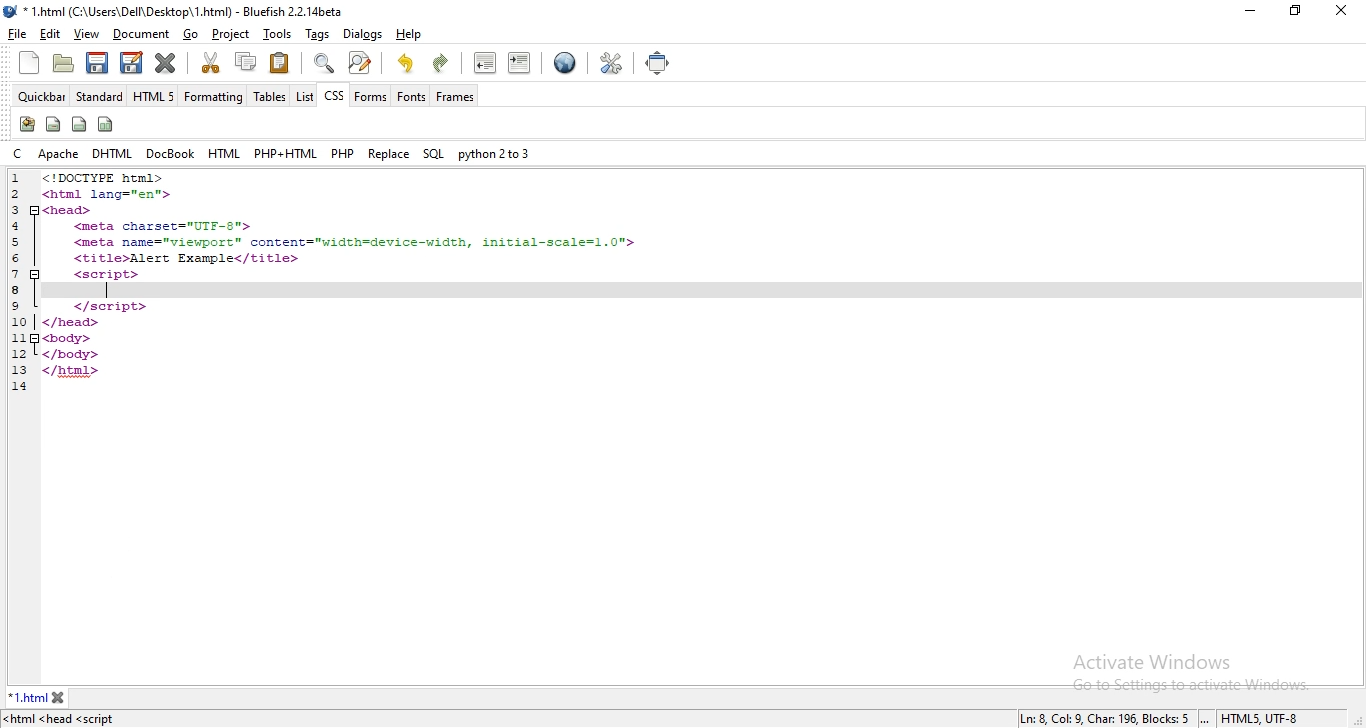 Image resolution: width=1366 pixels, height=728 pixels. Describe the element at coordinates (455, 96) in the screenshot. I see `frames` at that location.